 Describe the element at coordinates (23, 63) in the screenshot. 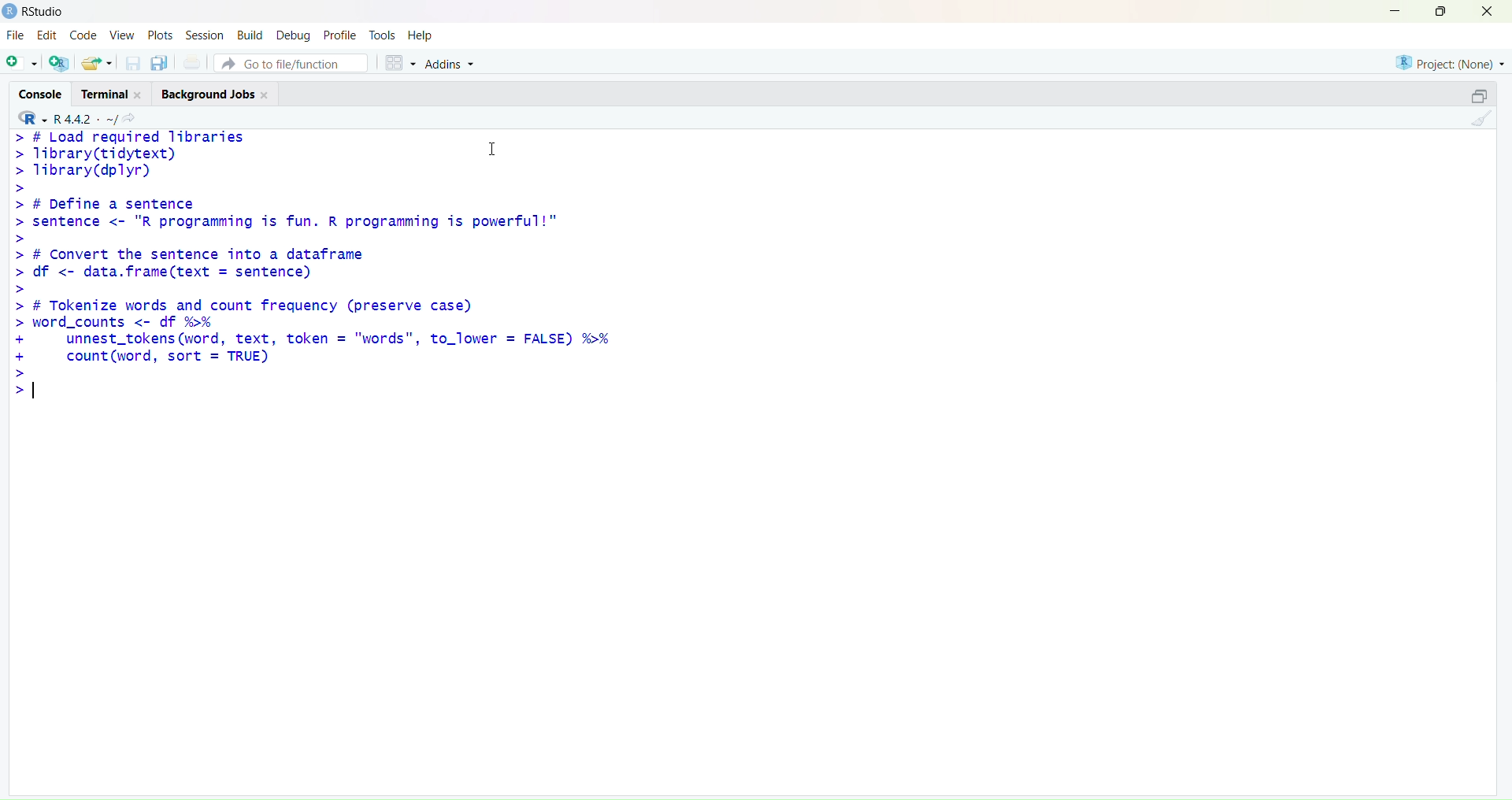

I see `new script` at that location.